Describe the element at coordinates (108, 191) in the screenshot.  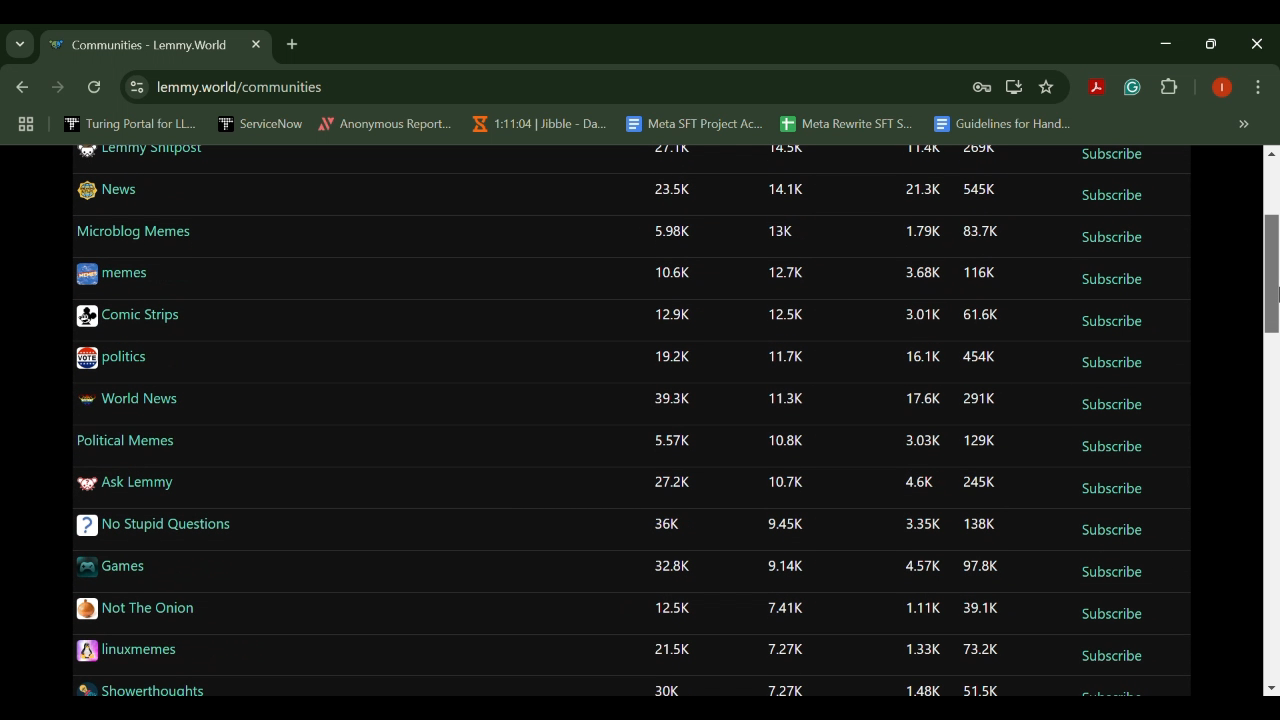
I see `News` at that location.